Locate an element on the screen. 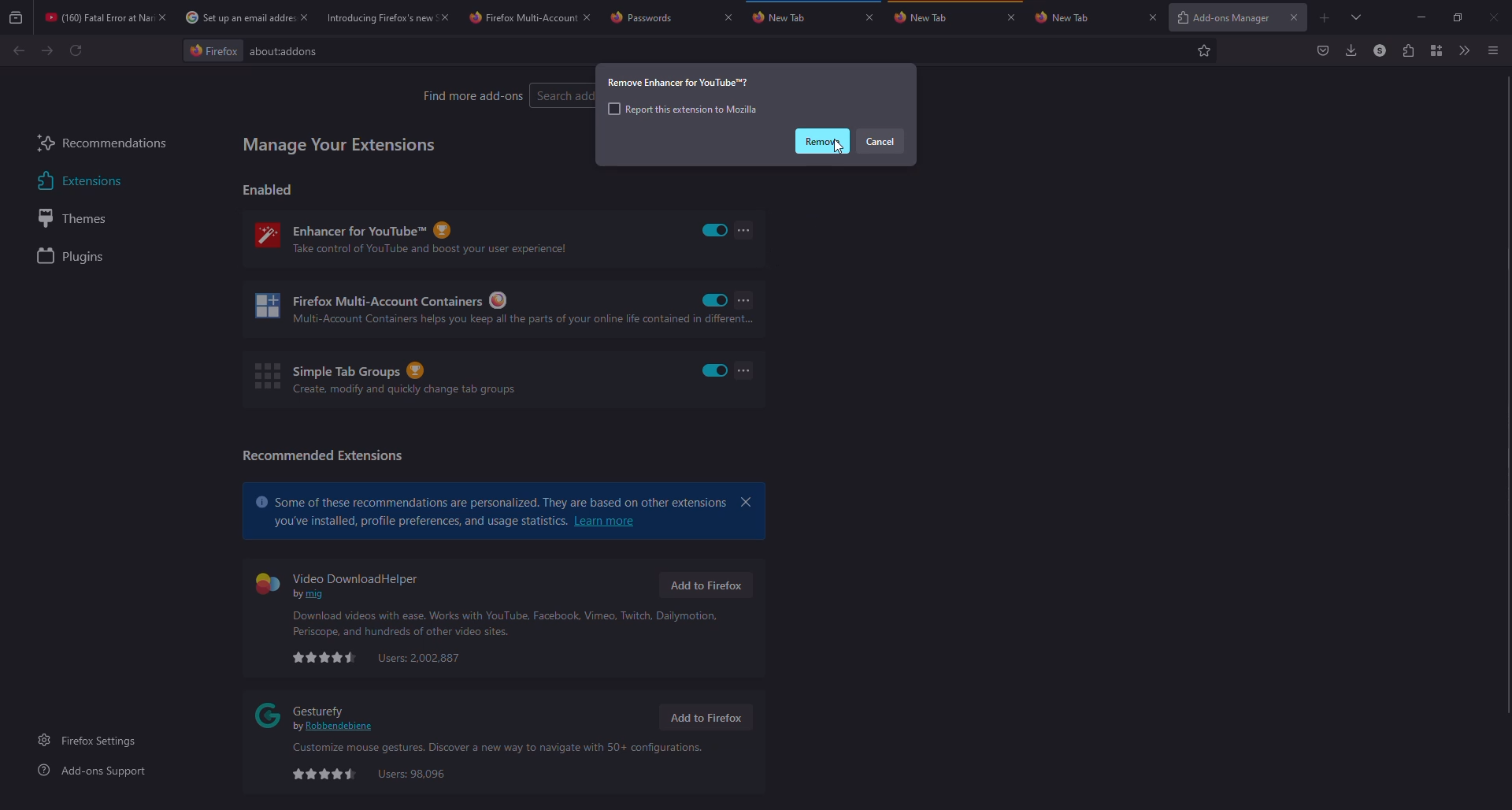 Image resolution: width=1512 pixels, height=810 pixels. Tab is located at coordinates (95, 17).